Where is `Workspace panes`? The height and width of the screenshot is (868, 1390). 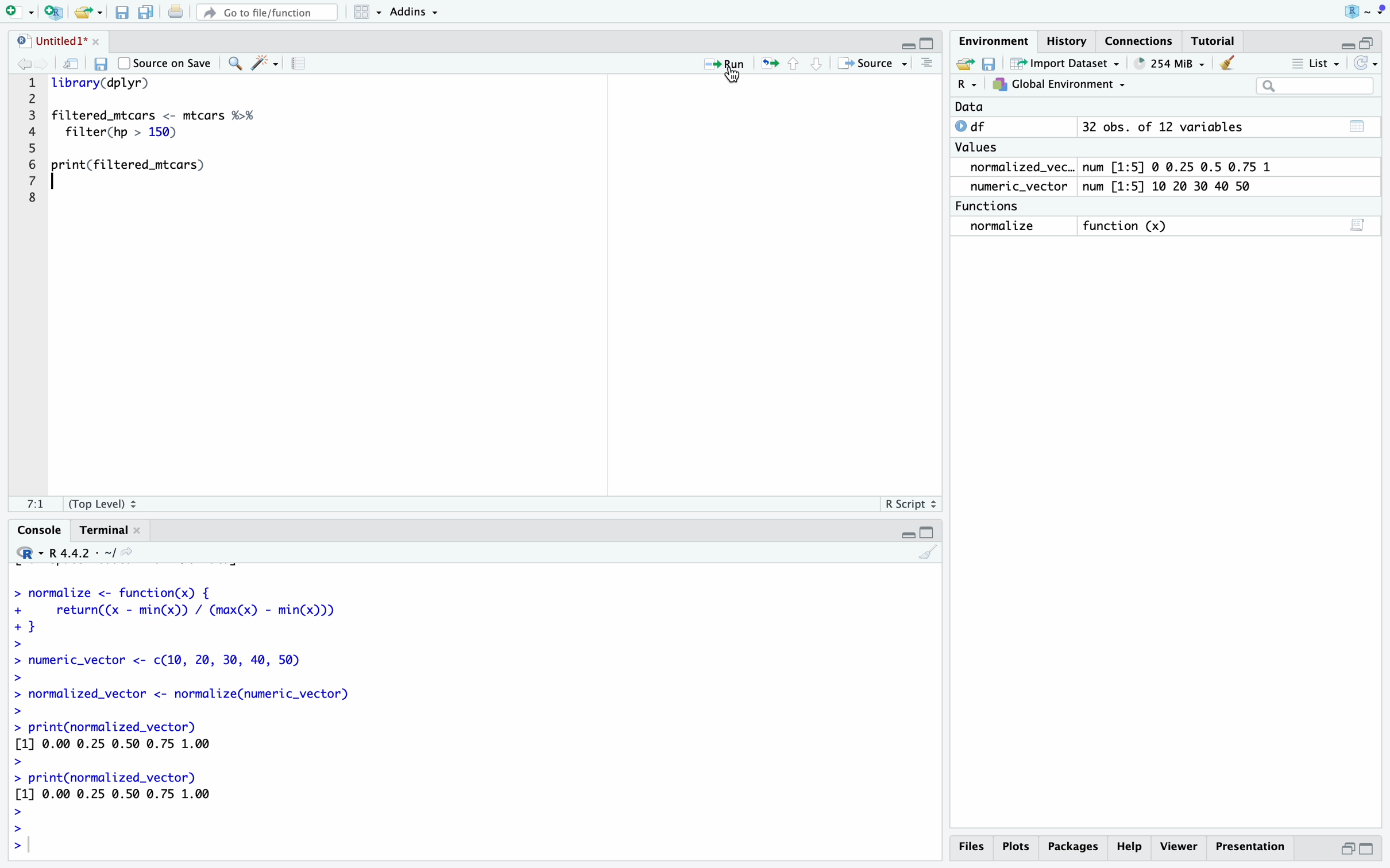
Workspace panes is located at coordinates (363, 13).